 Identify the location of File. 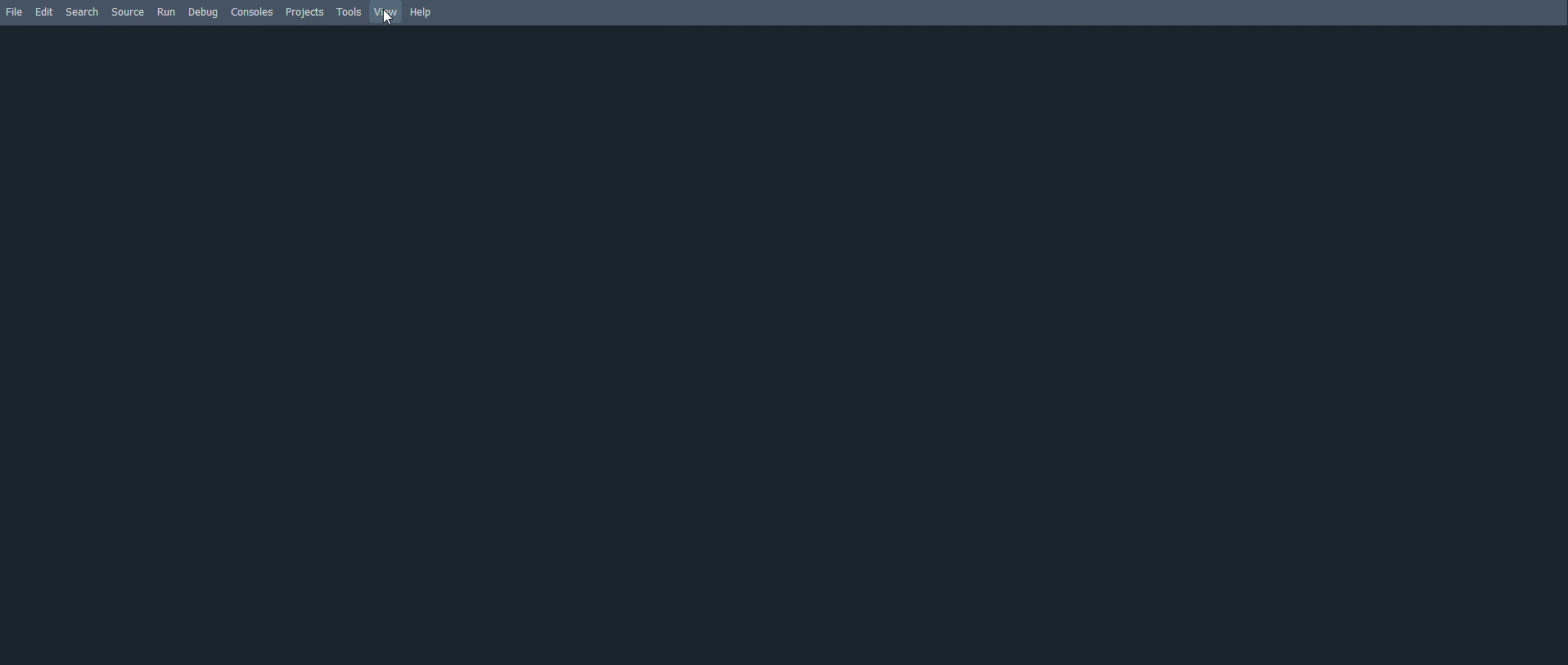
(14, 11).